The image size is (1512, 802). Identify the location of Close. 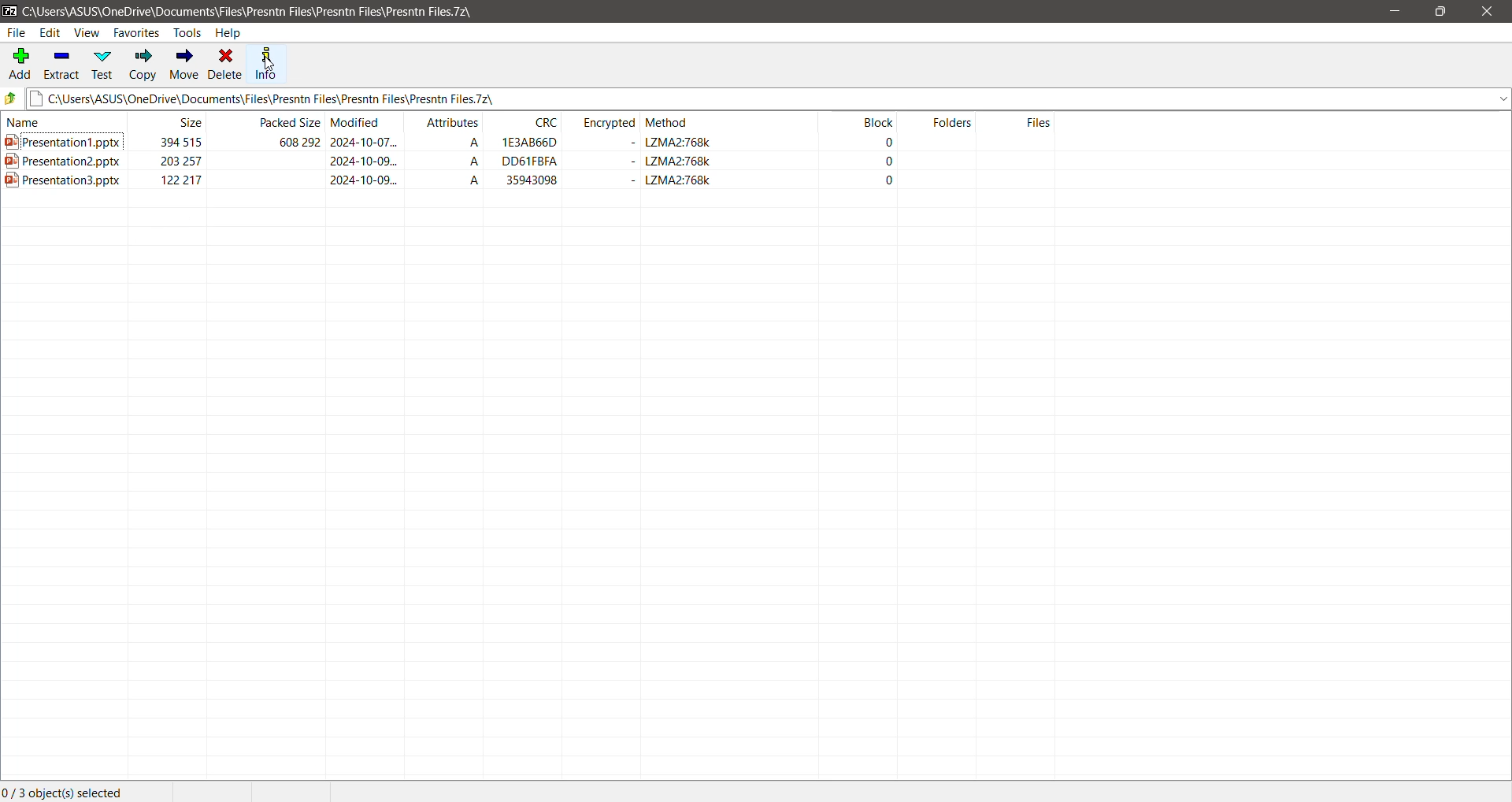
(1487, 12).